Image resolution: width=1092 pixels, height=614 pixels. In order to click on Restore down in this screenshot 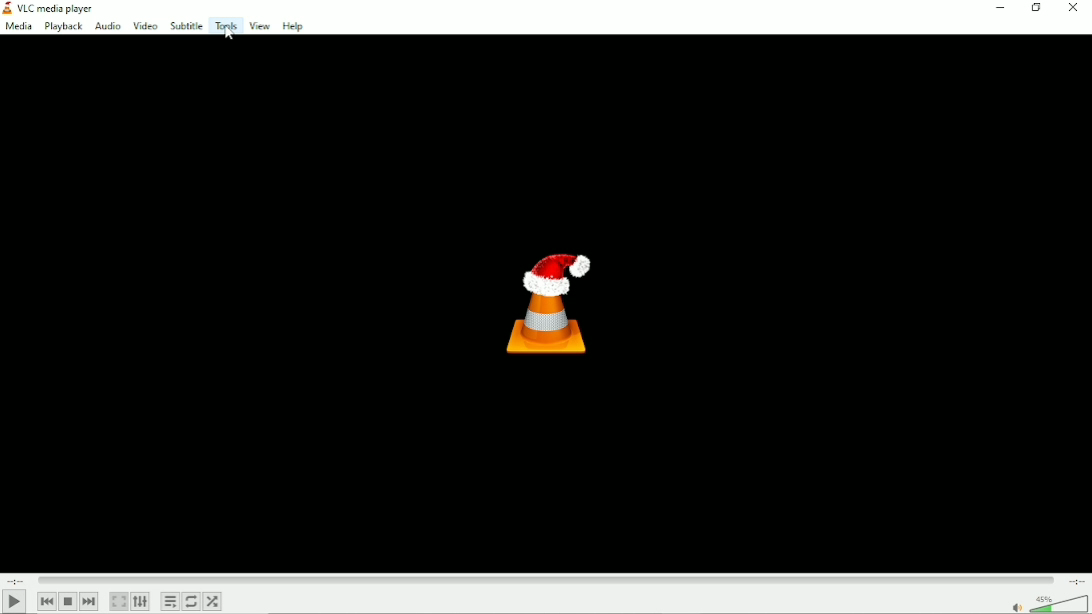, I will do `click(1035, 8)`.